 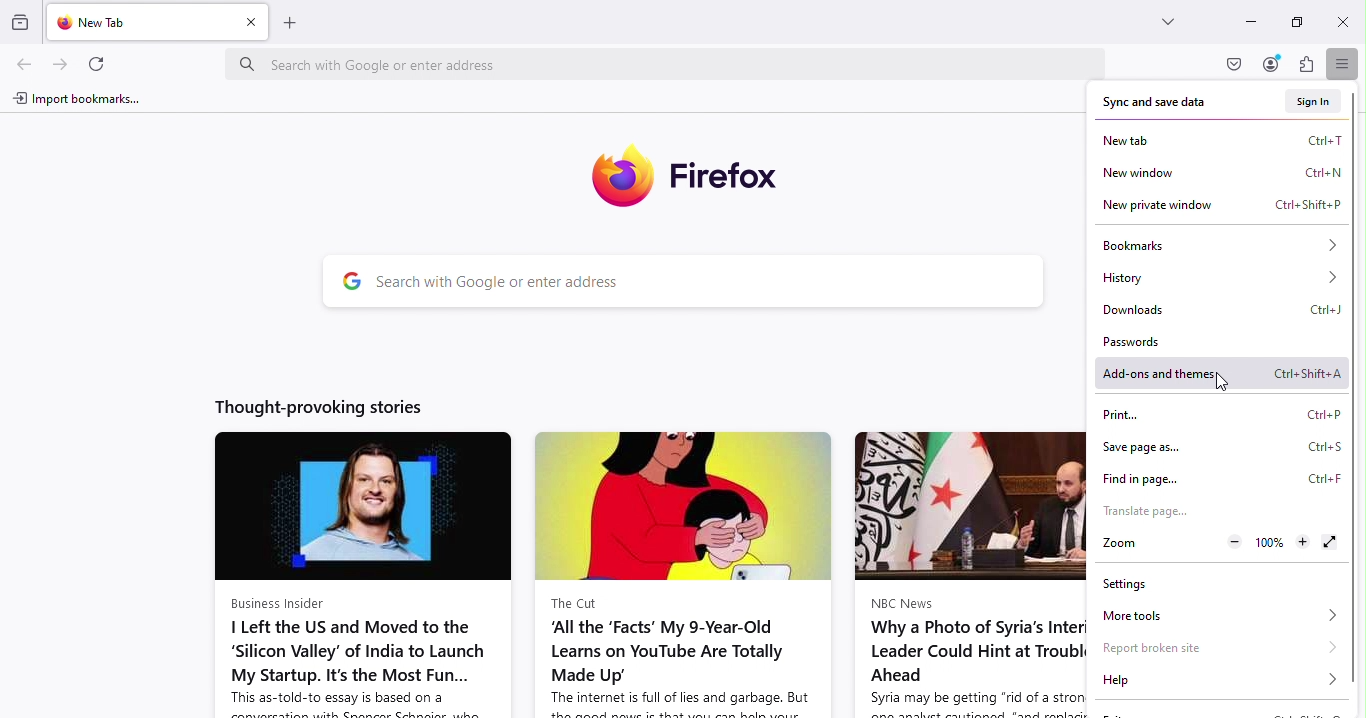 I want to click on Sign in, so click(x=1313, y=102).